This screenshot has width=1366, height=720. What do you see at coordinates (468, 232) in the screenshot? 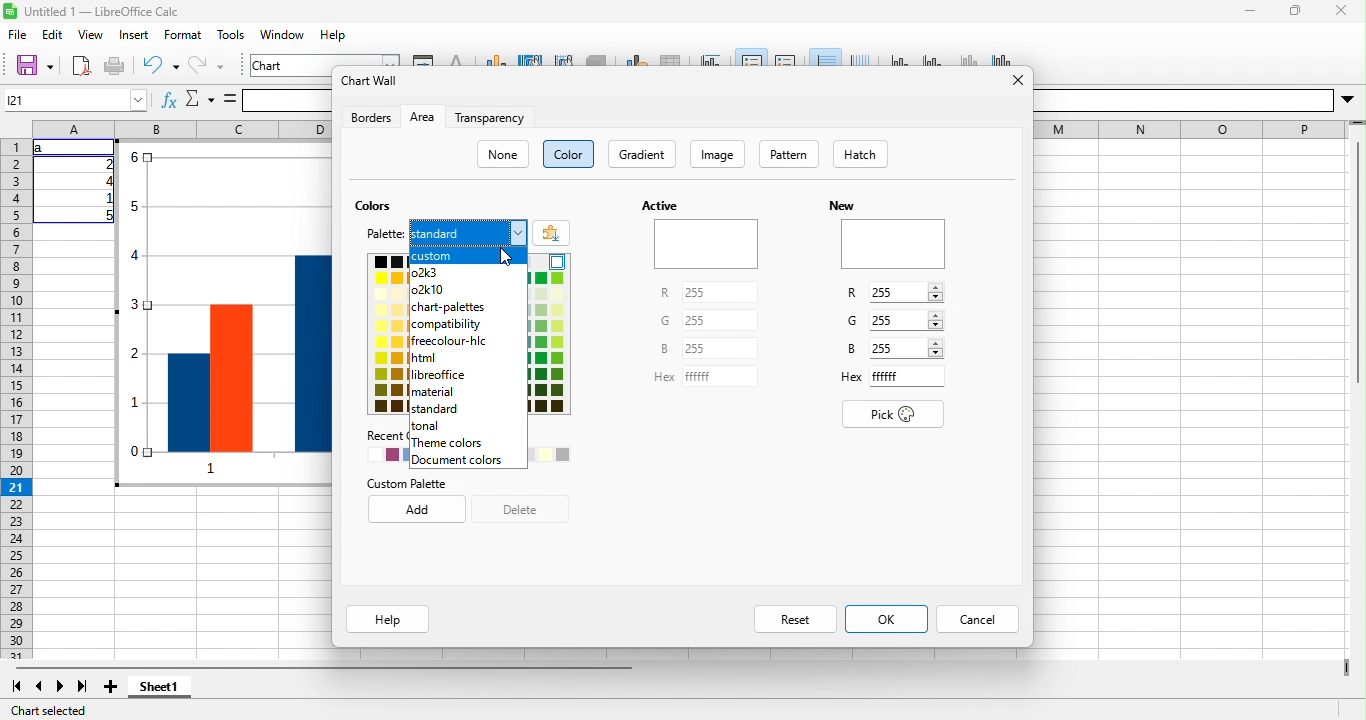
I see `standard, current menu from palette options` at bounding box center [468, 232].